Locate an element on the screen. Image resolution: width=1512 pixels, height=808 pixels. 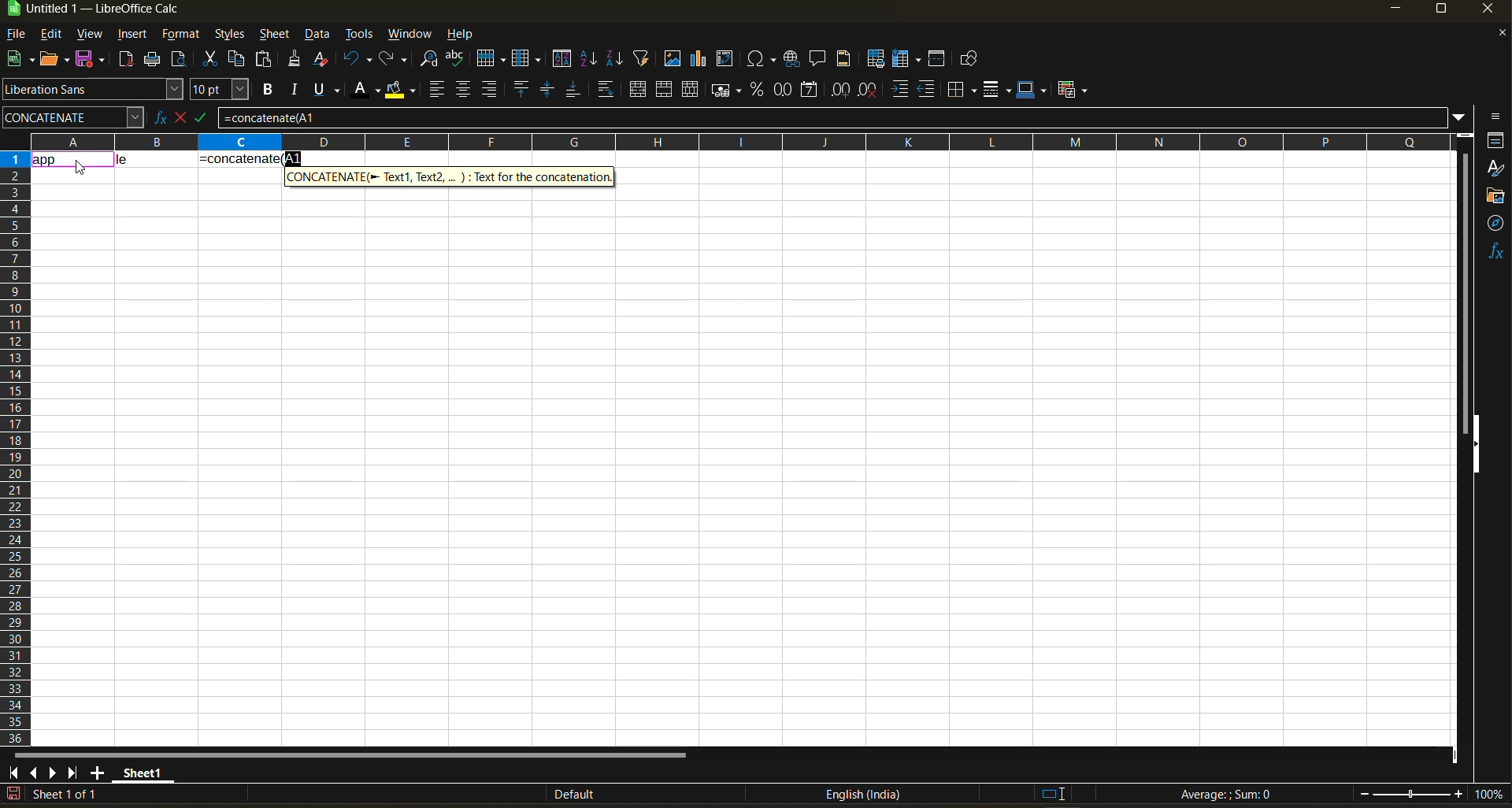
spelling is located at coordinates (454, 60).